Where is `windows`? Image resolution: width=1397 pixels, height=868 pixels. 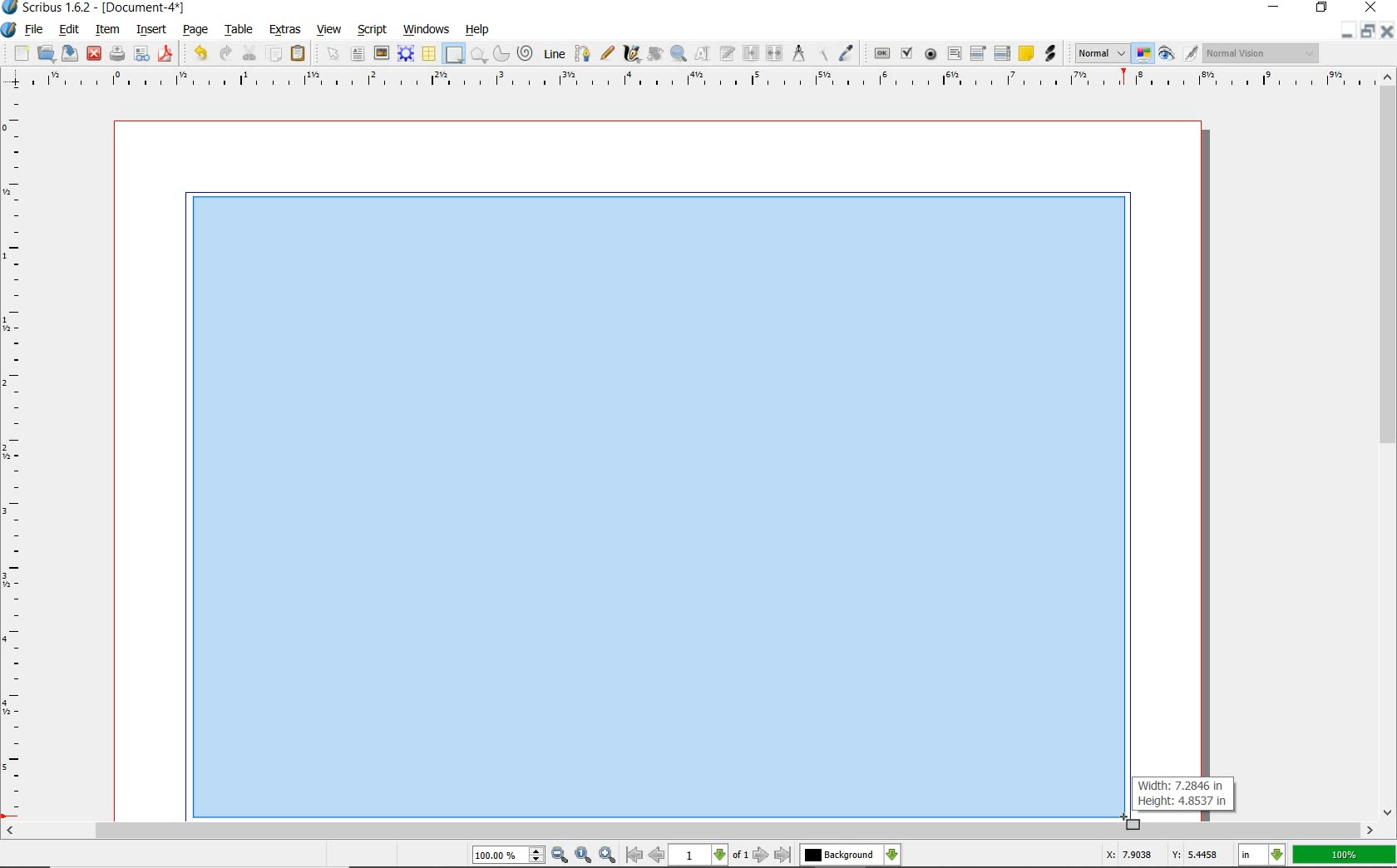 windows is located at coordinates (426, 29).